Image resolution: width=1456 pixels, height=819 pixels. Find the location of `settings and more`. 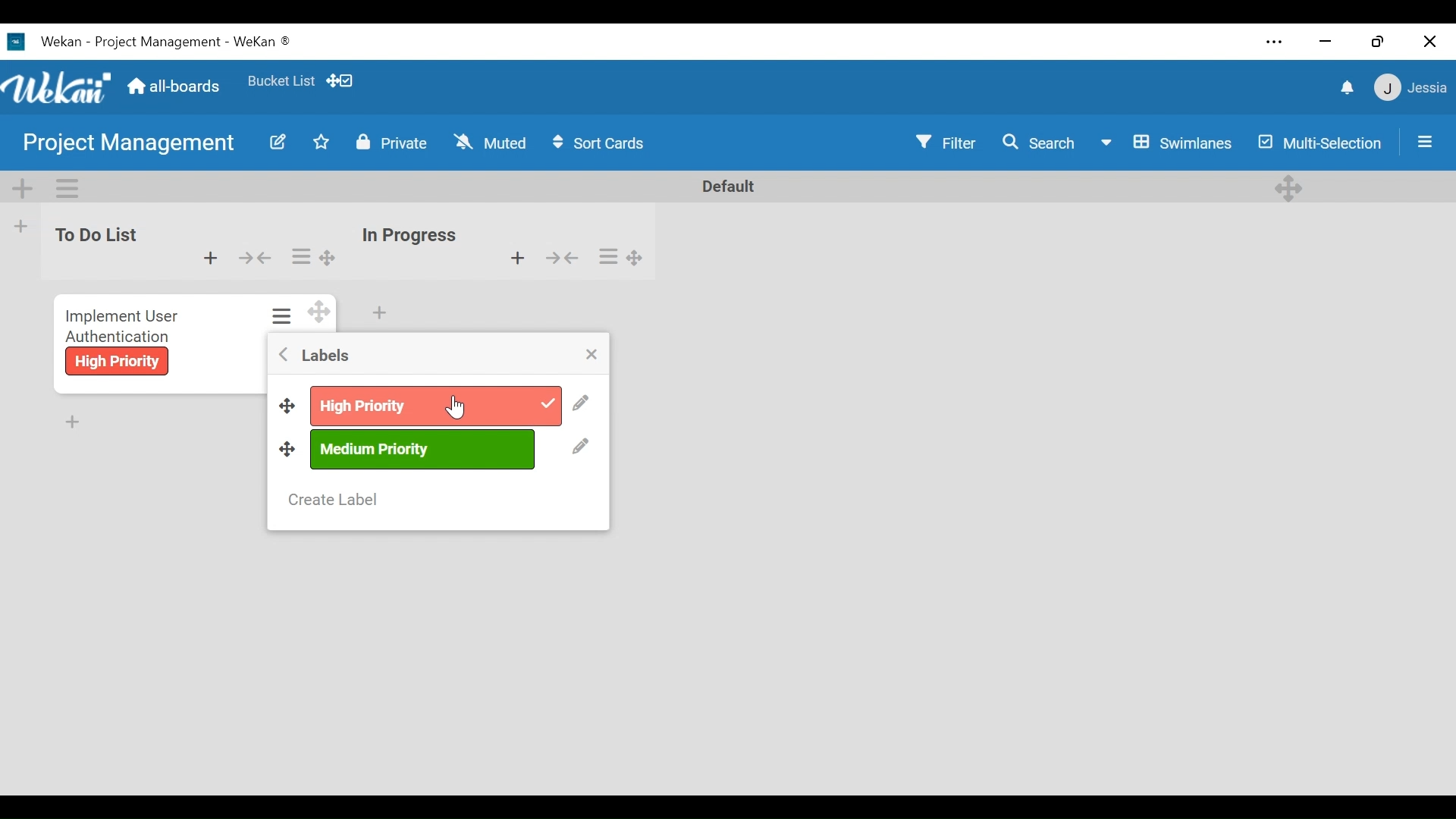

settings and more is located at coordinates (1272, 42).